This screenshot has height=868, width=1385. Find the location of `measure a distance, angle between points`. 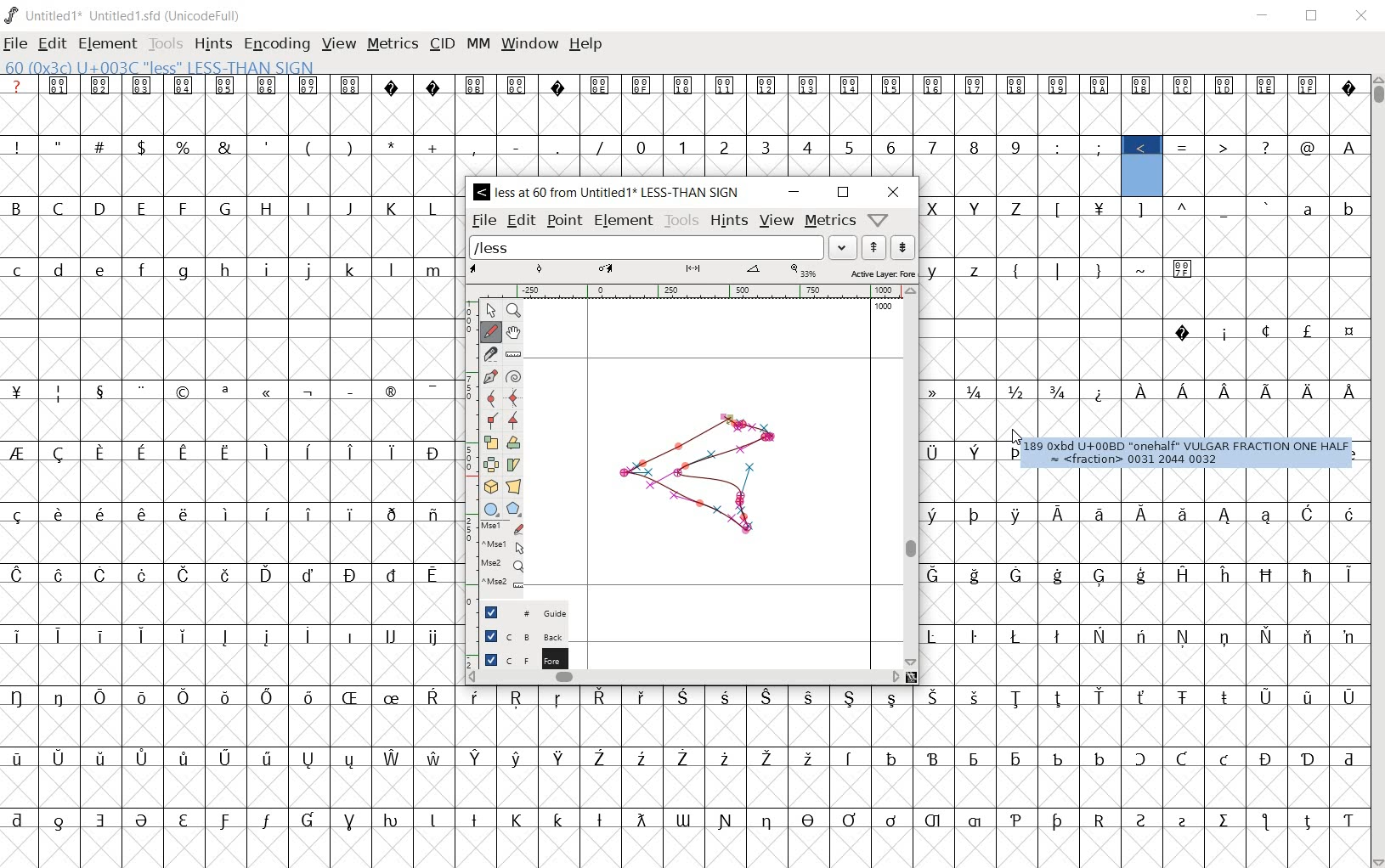

measure a distance, angle between points is located at coordinates (514, 354).